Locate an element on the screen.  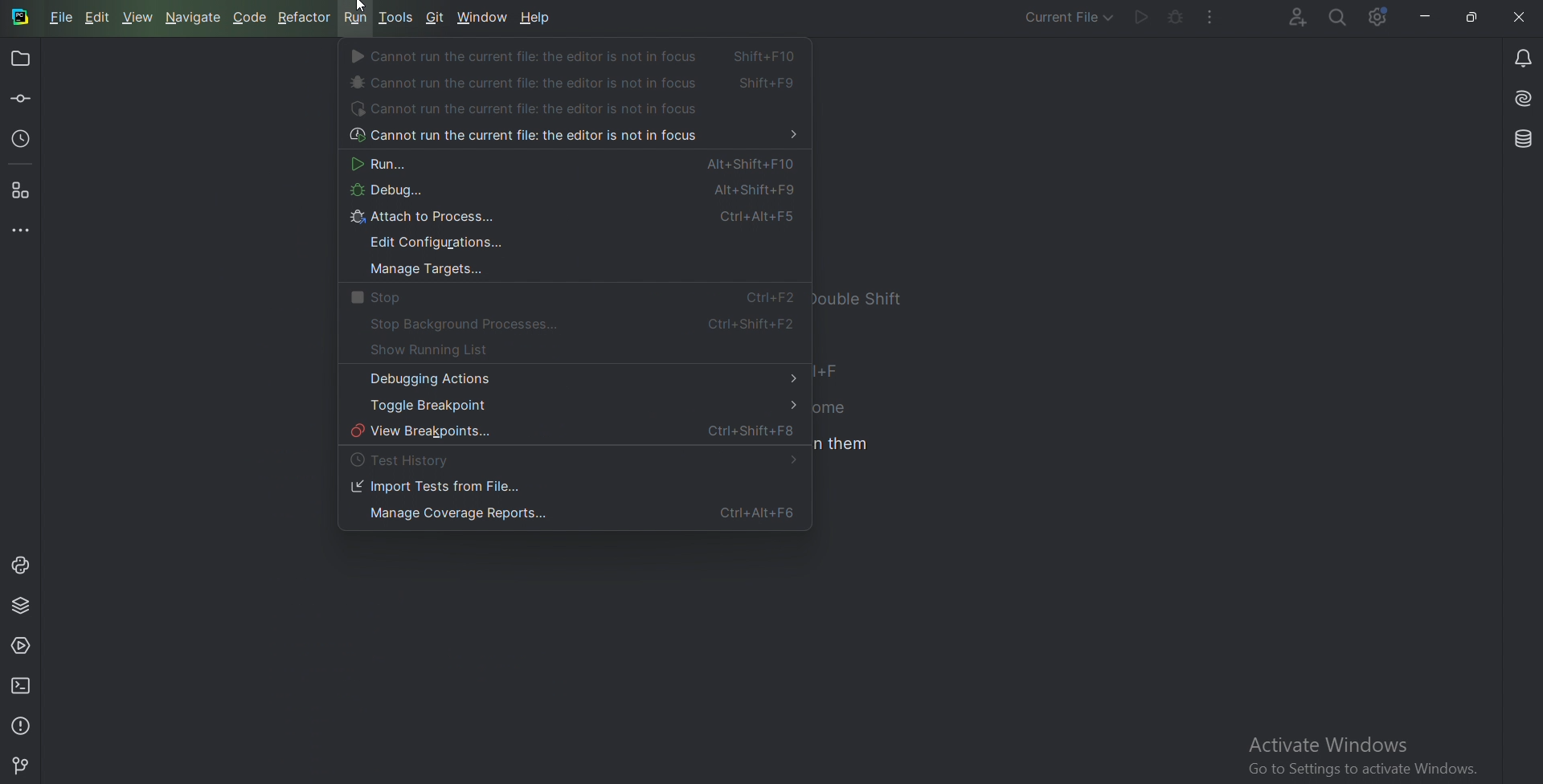
Refactor is located at coordinates (305, 18).